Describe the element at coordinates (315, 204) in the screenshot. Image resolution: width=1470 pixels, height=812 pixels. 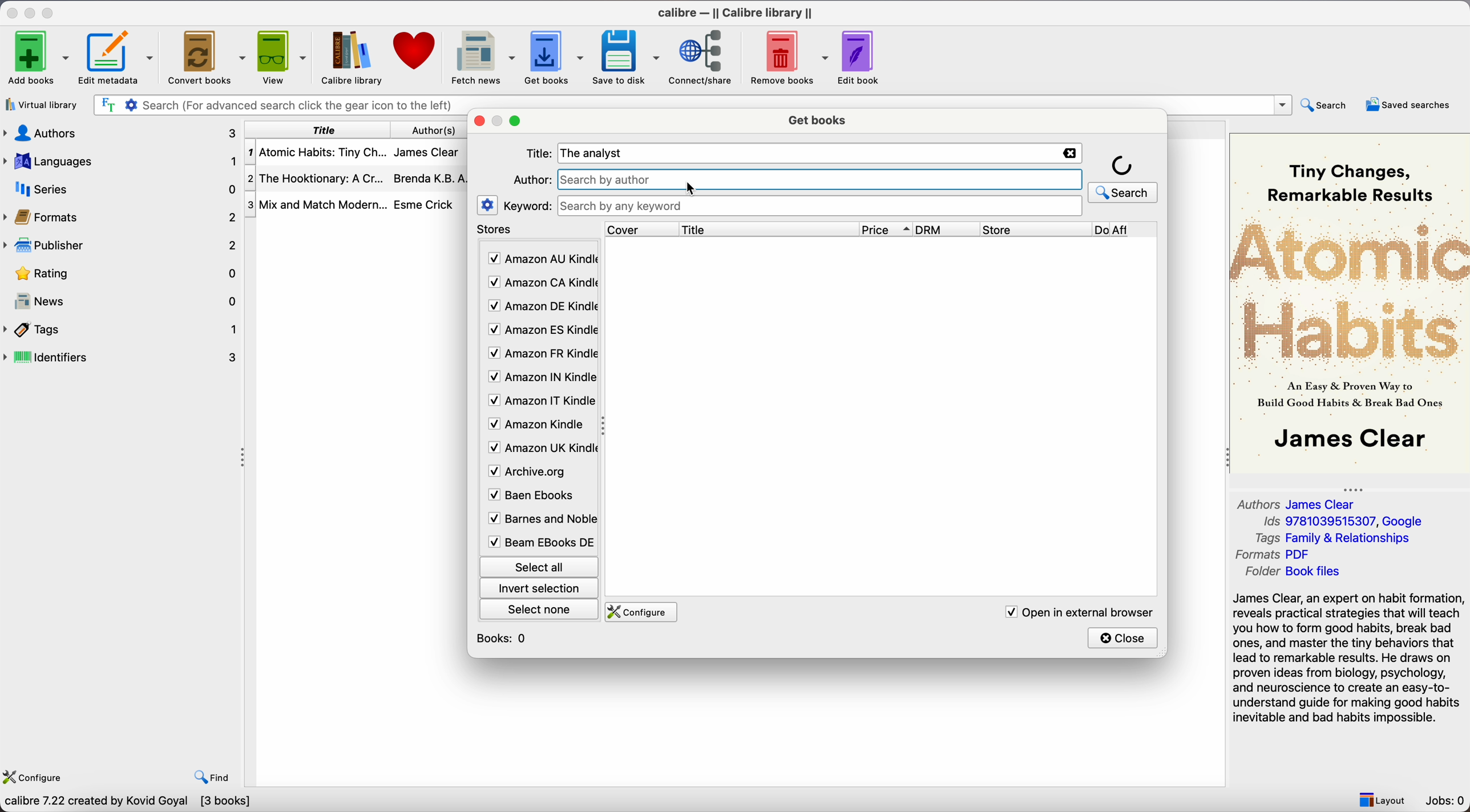
I see `Mix and Mtach Modern...` at that location.